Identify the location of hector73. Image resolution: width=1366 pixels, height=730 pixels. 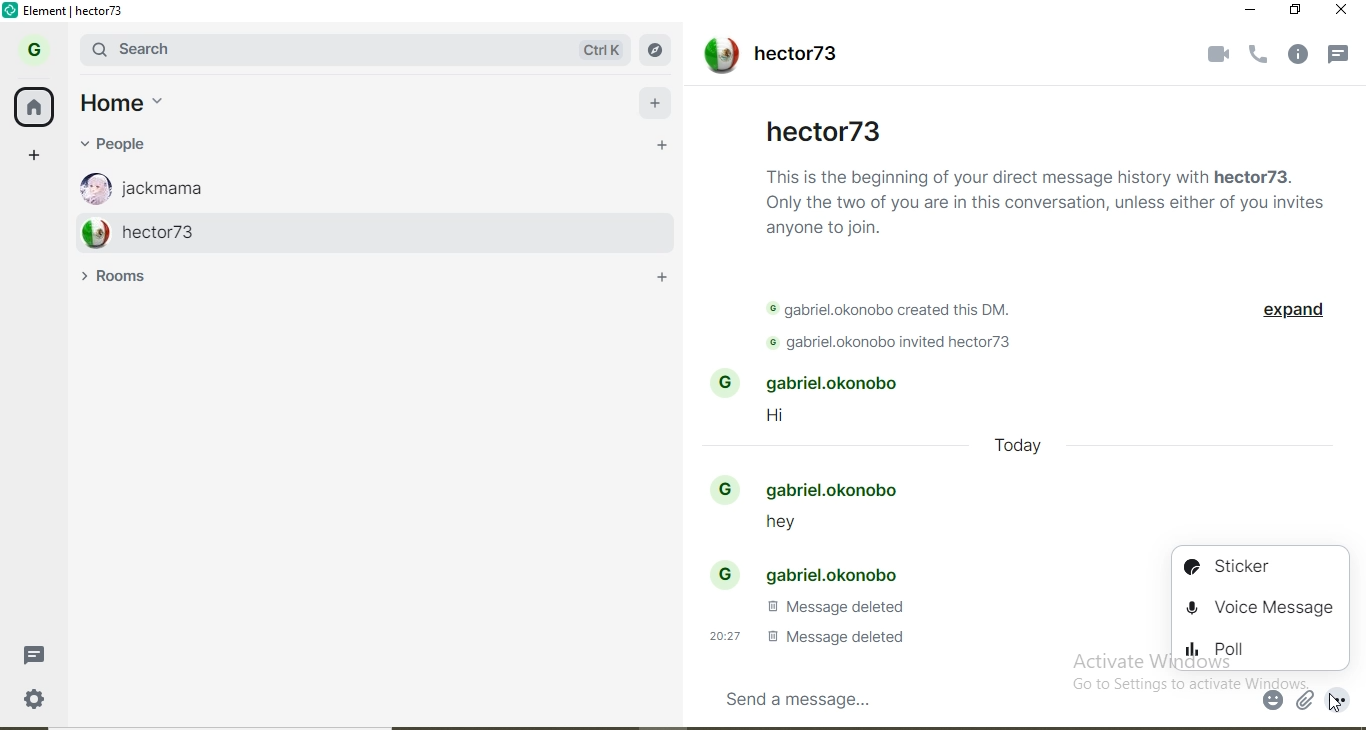
(824, 129).